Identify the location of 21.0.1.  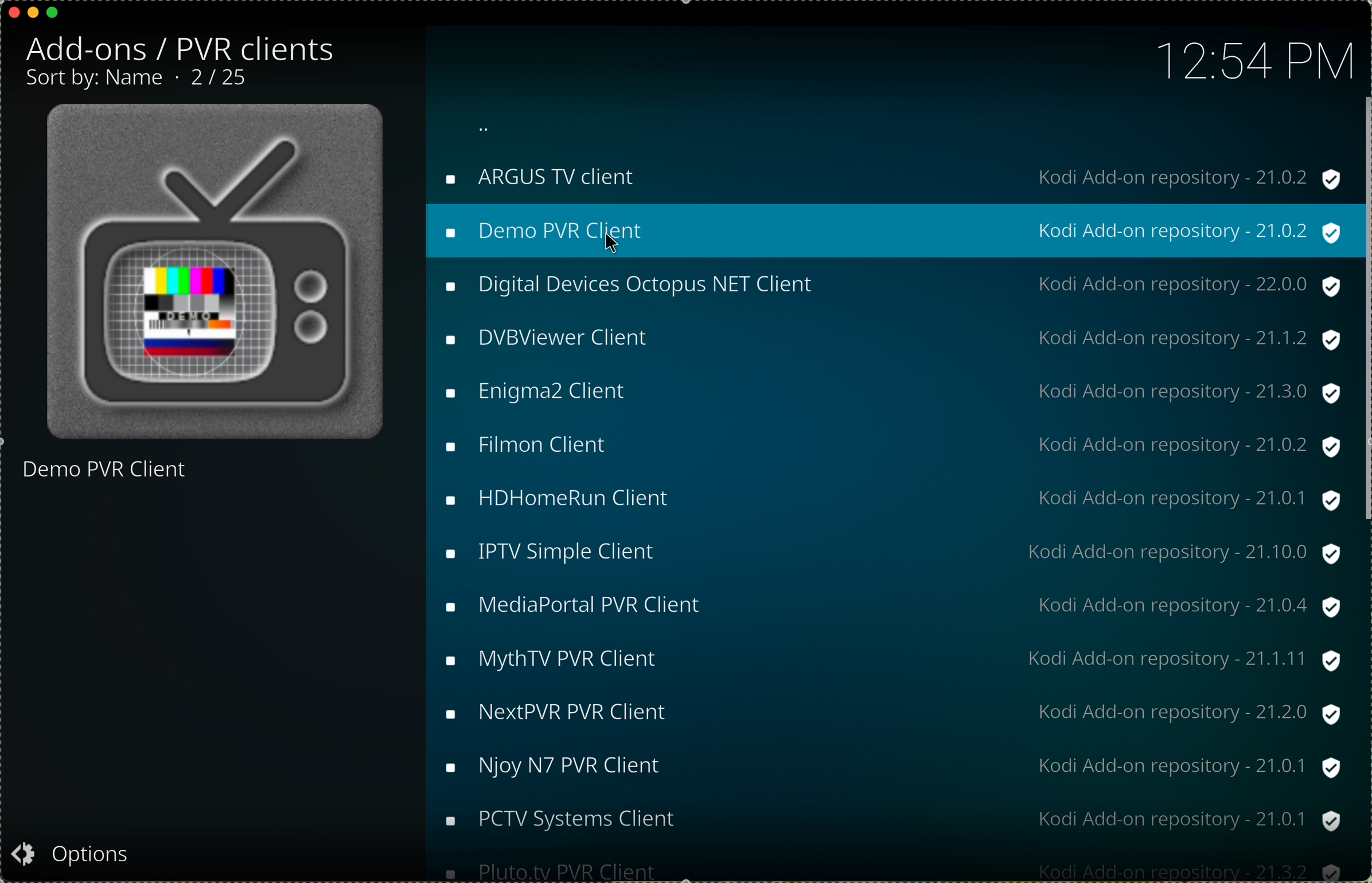
(1282, 818).